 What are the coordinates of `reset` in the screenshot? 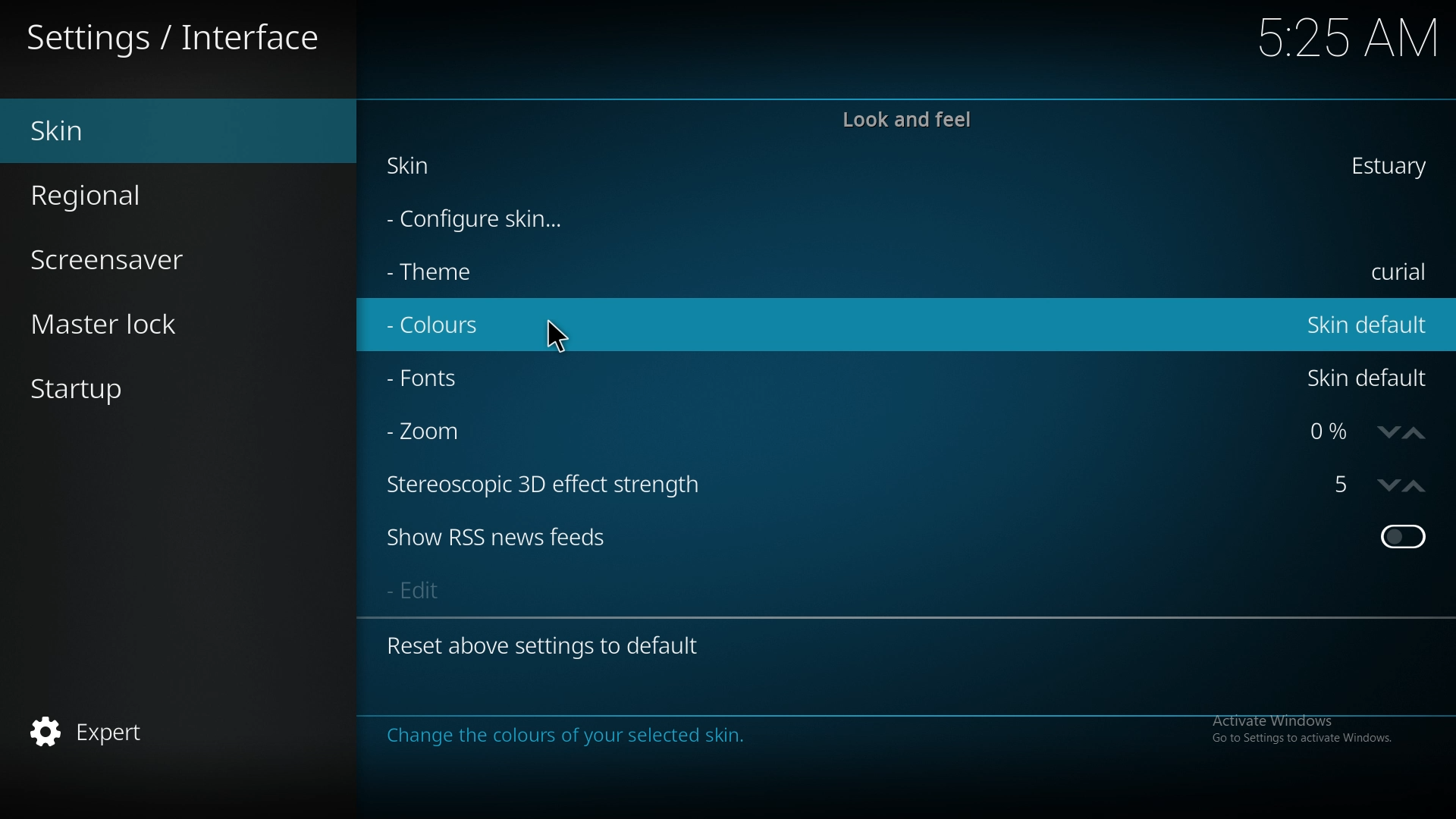 It's located at (548, 644).